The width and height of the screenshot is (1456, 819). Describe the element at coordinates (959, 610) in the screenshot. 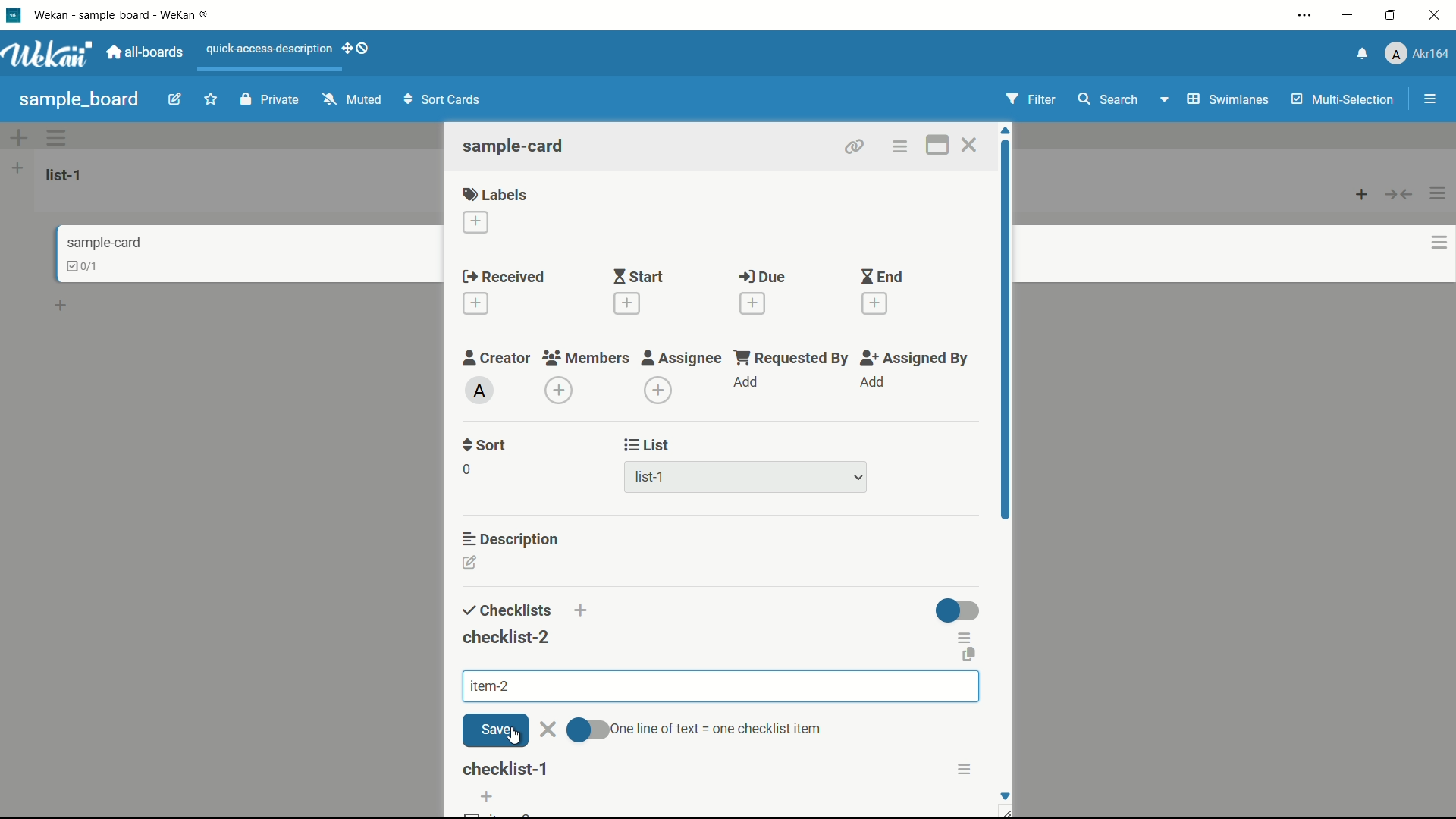

I see `toggle button` at that location.